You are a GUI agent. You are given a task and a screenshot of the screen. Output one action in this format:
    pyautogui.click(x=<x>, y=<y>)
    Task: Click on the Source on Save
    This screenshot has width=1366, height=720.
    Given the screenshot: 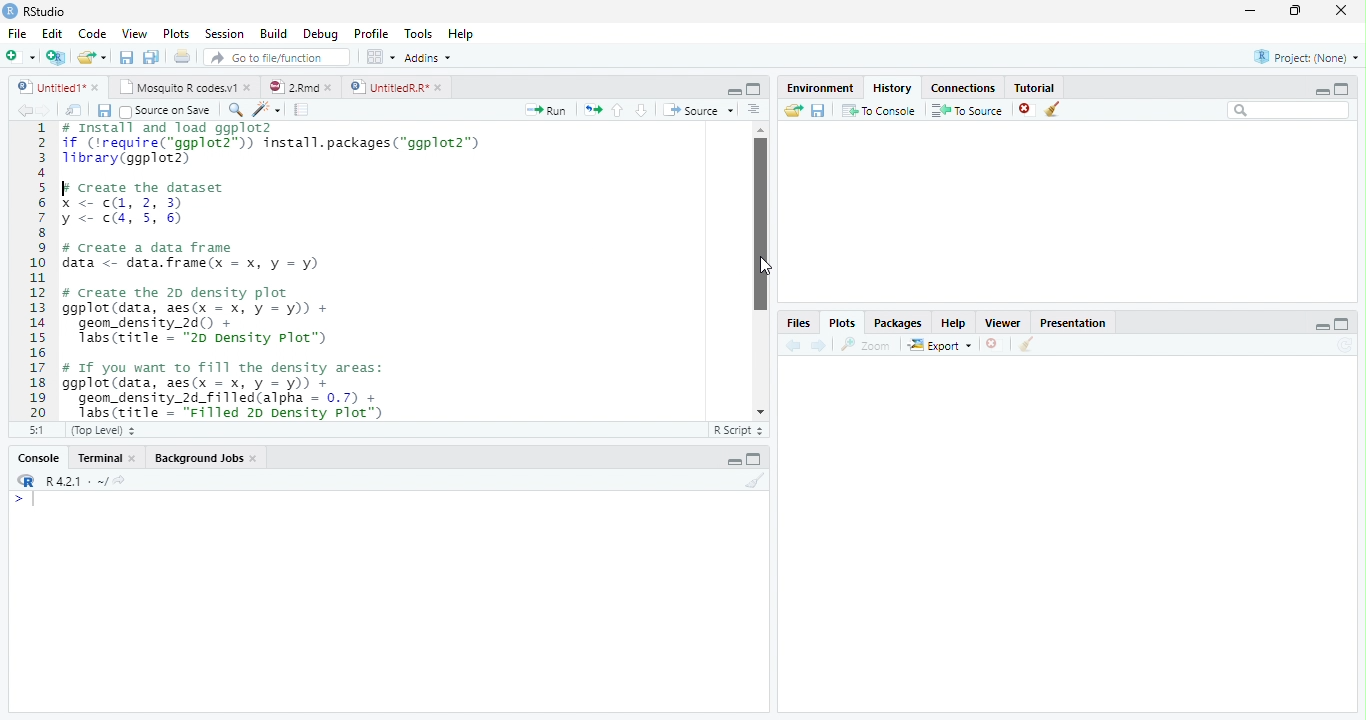 What is the action you would take?
    pyautogui.click(x=163, y=111)
    